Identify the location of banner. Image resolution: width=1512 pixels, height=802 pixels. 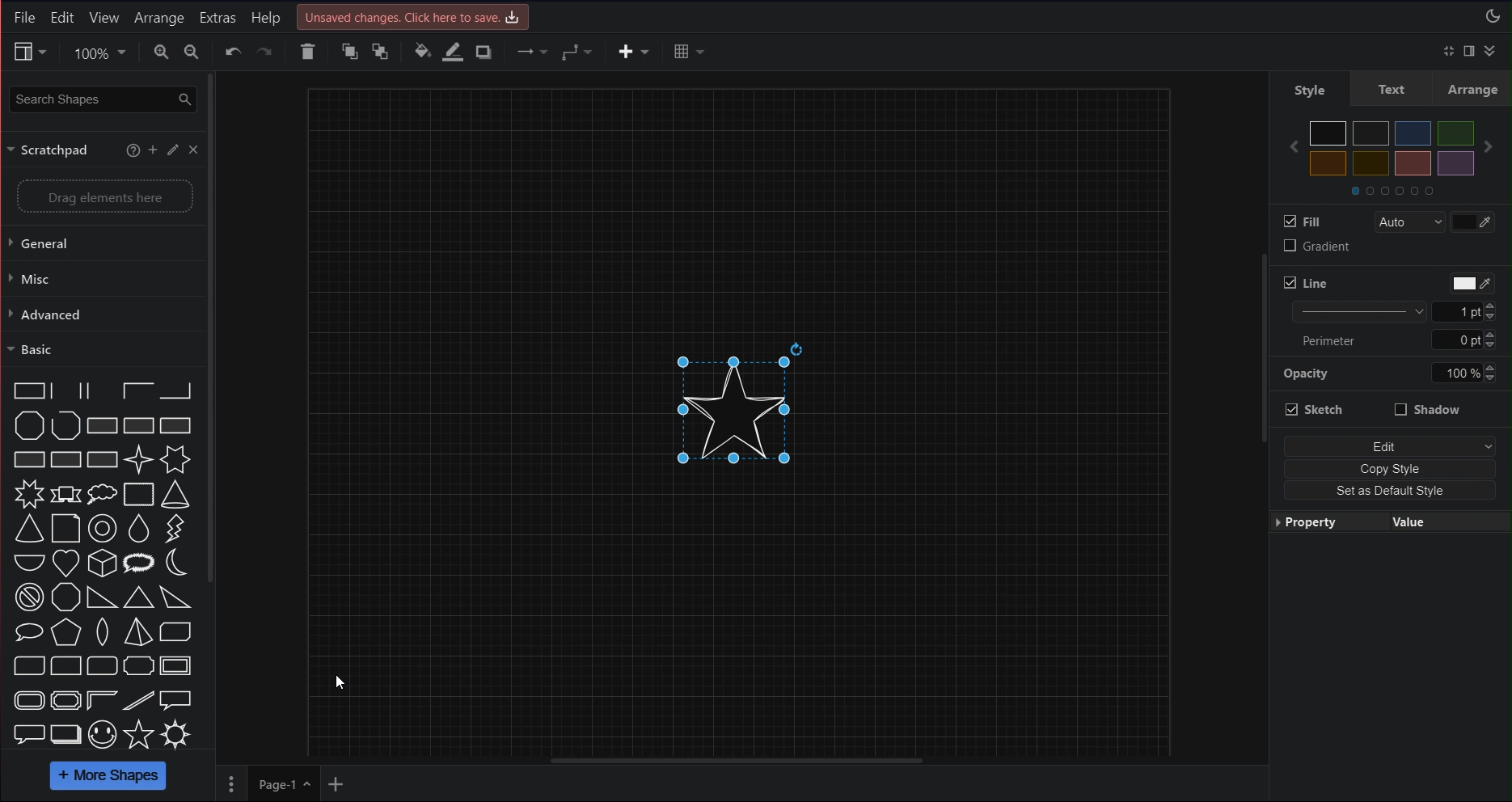
(65, 495).